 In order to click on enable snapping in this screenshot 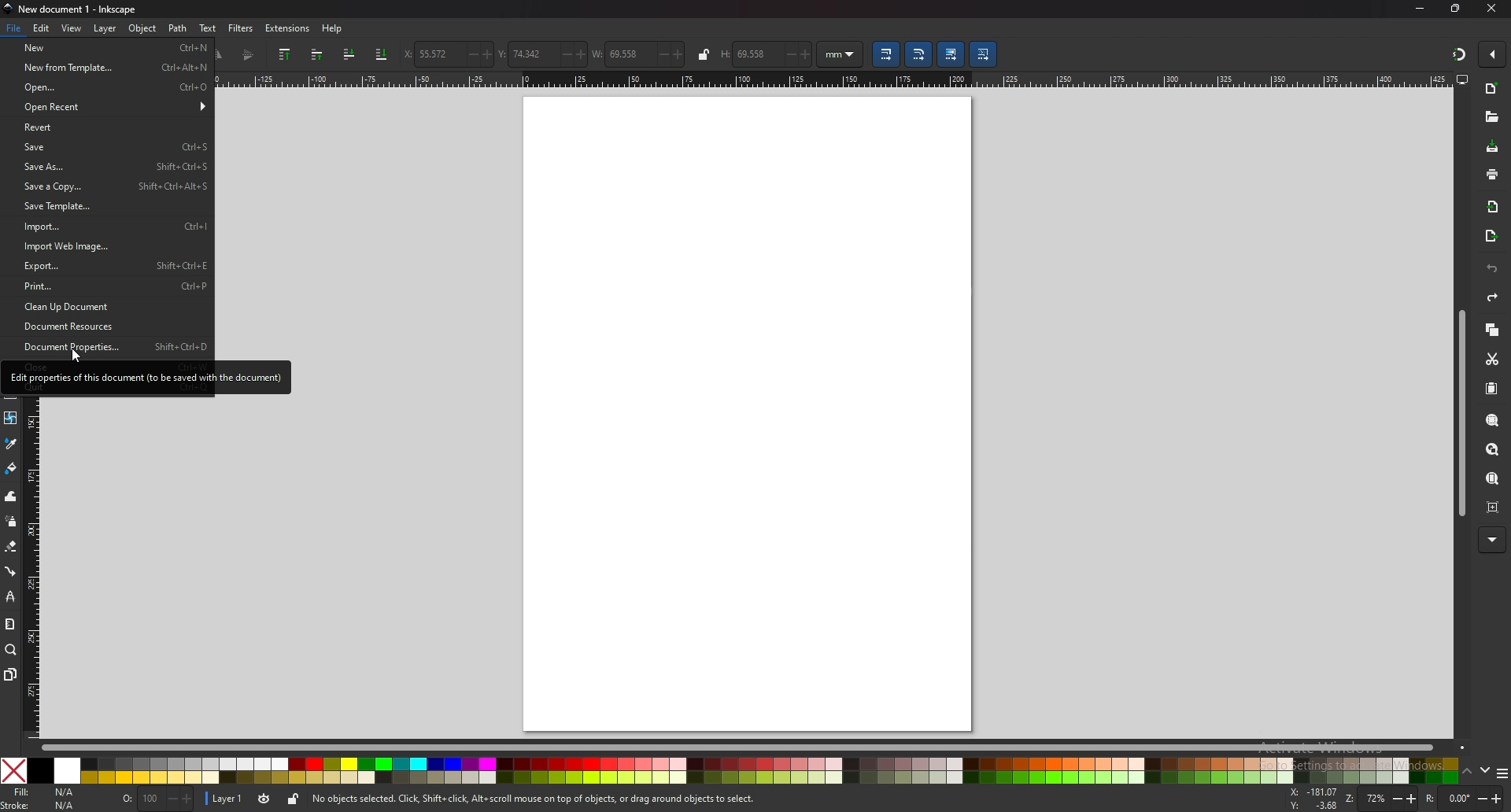, I will do `click(1489, 54)`.